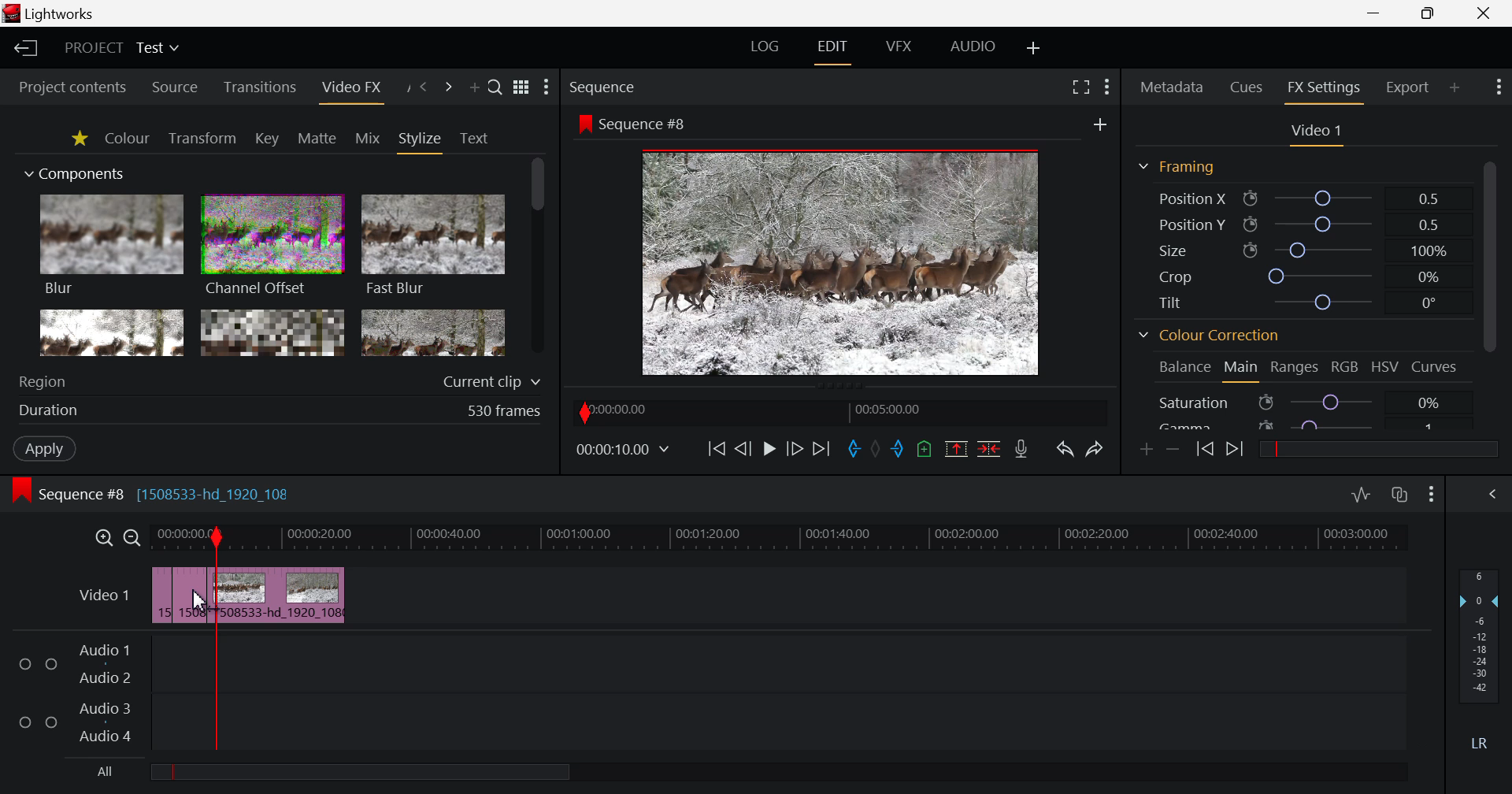  Describe the element at coordinates (1296, 368) in the screenshot. I see `Ranges` at that location.